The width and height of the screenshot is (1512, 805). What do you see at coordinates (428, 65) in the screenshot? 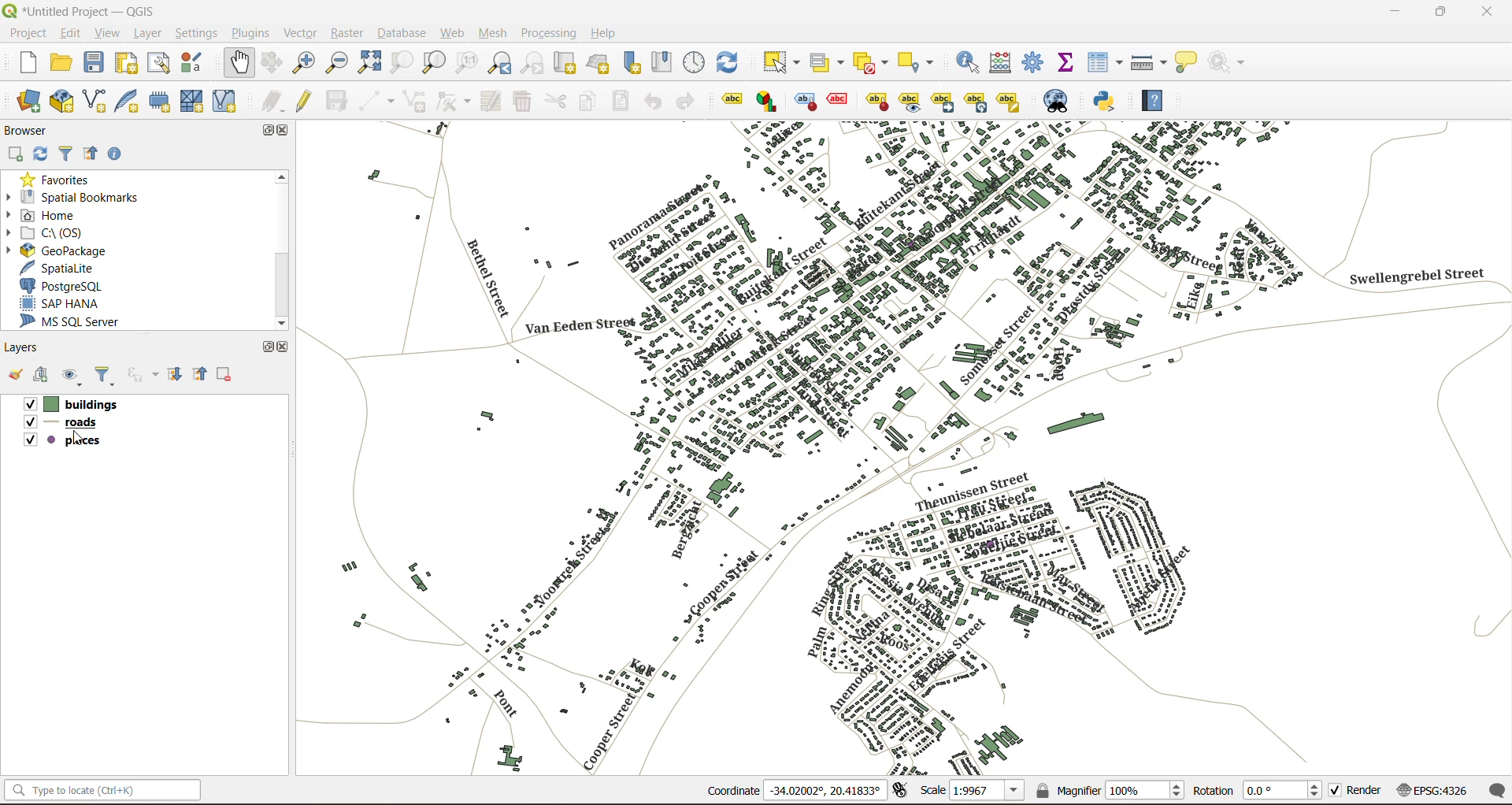
I see `zoom layer` at bounding box center [428, 65].